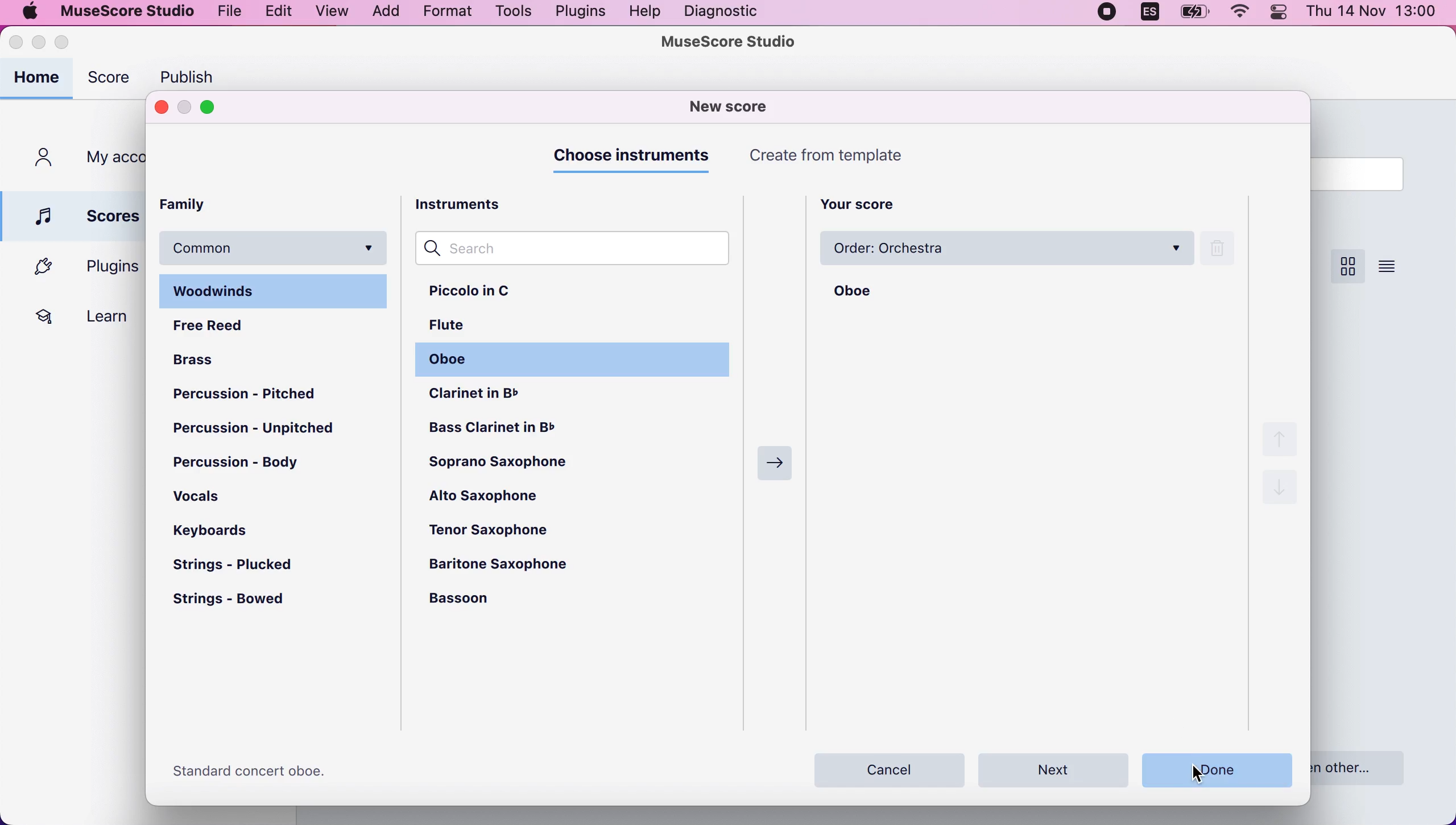 This screenshot has width=1456, height=825. I want to click on percussion-pitched, so click(257, 394).